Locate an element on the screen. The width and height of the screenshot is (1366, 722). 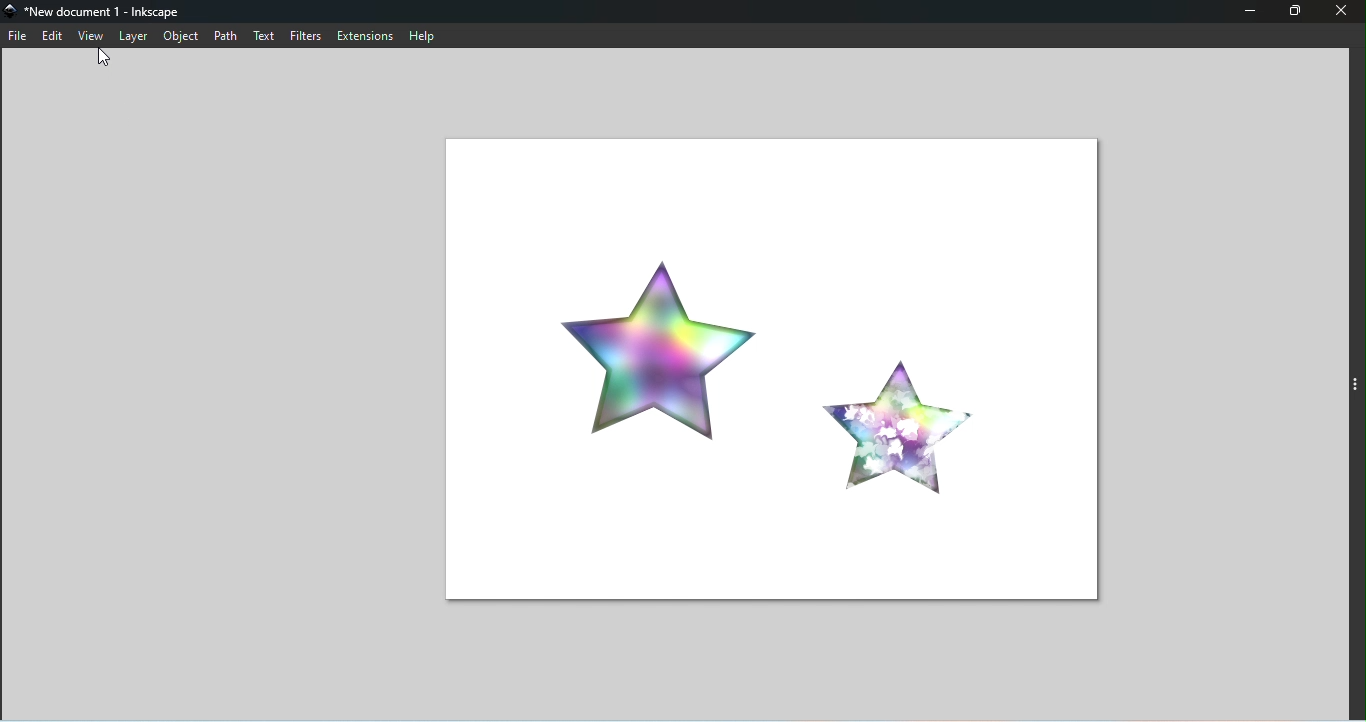
Canvas is located at coordinates (751, 366).